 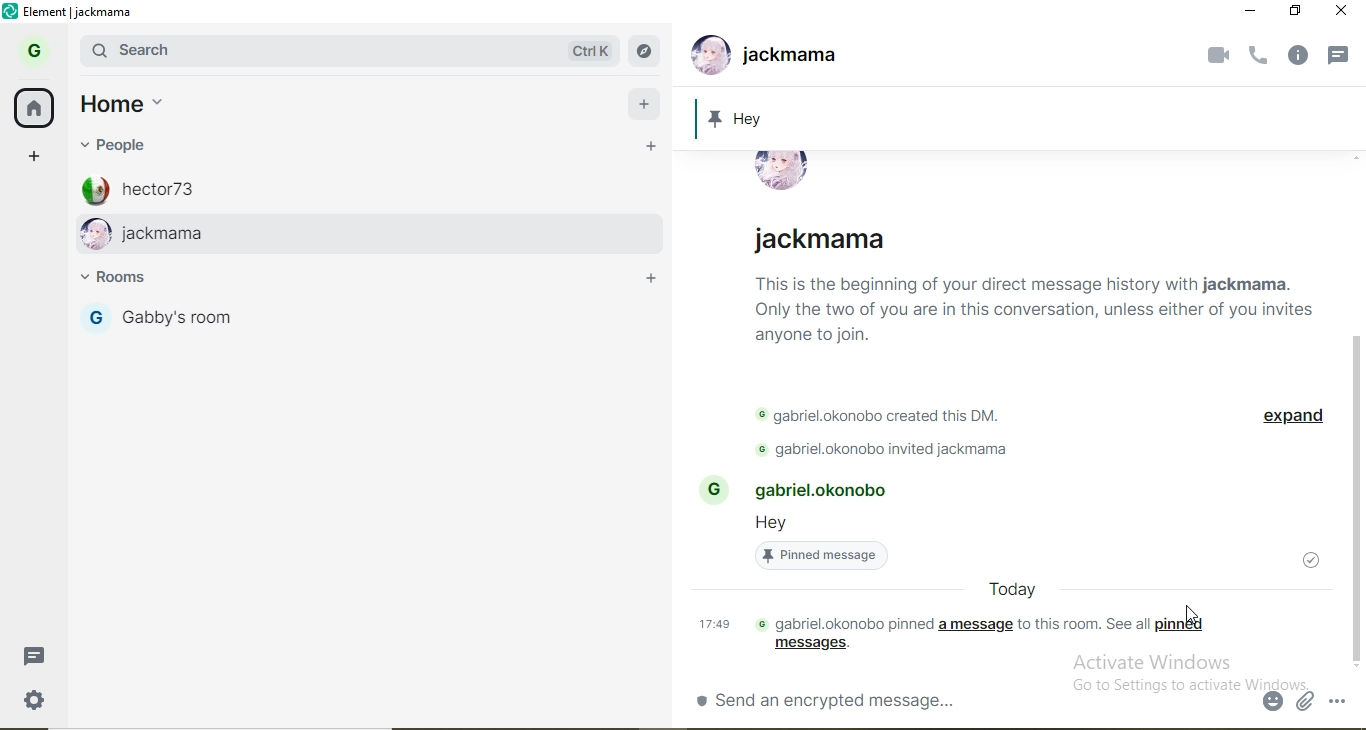 I want to click on , so click(x=781, y=170).